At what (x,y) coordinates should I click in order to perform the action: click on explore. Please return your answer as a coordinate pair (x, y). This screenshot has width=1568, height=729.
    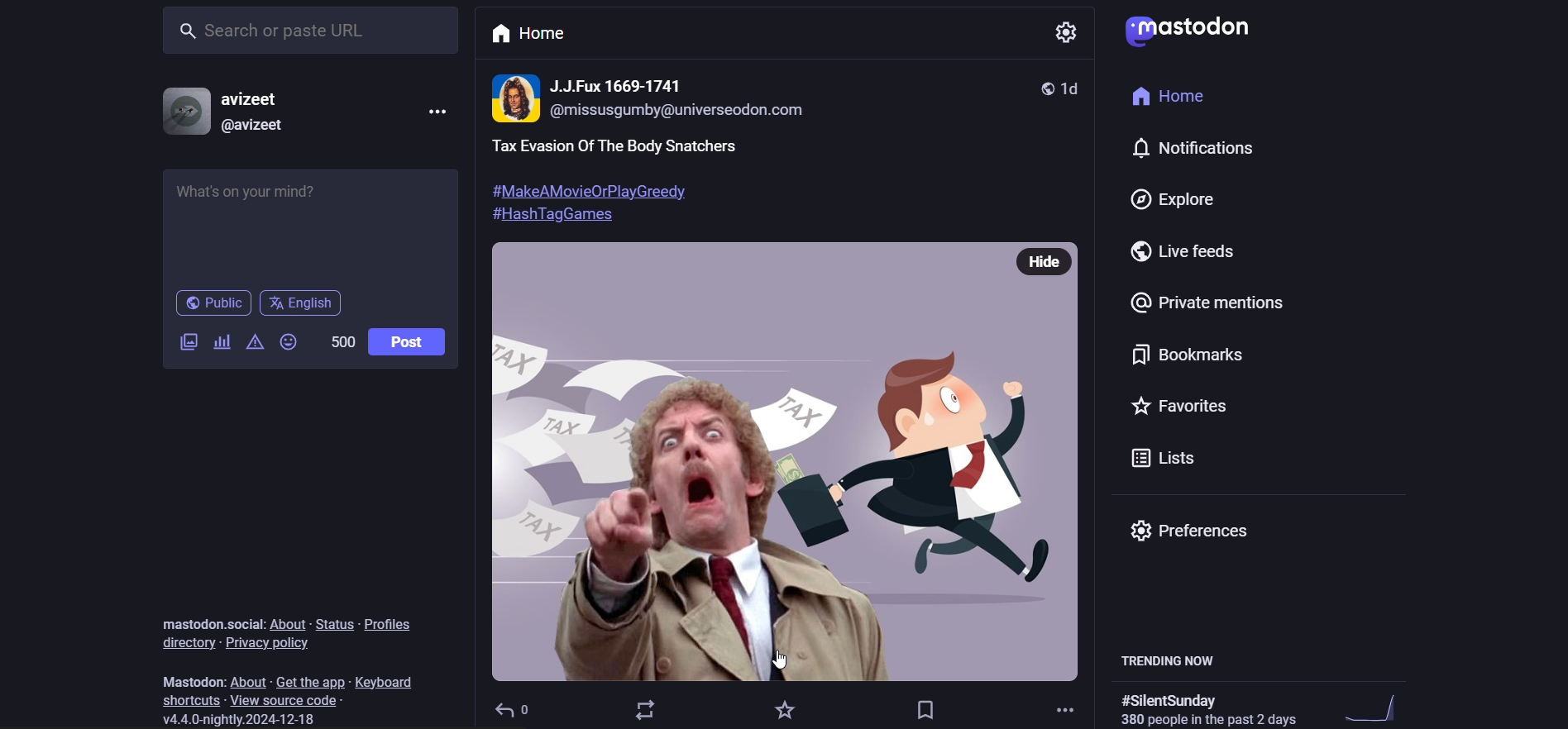
    Looking at the image, I should click on (1171, 193).